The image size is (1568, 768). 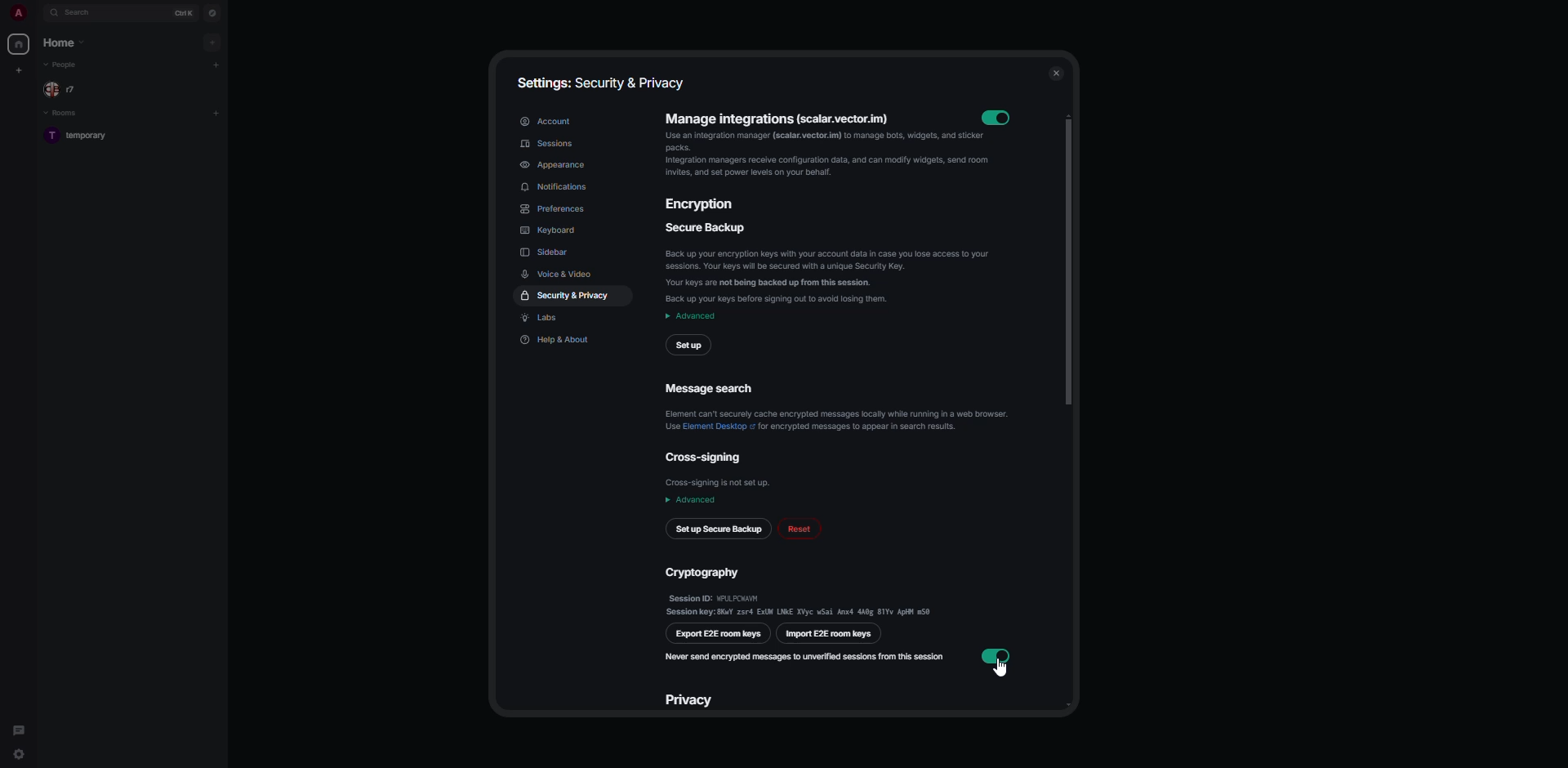 I want to click on expand, so click(x=37, y=14).